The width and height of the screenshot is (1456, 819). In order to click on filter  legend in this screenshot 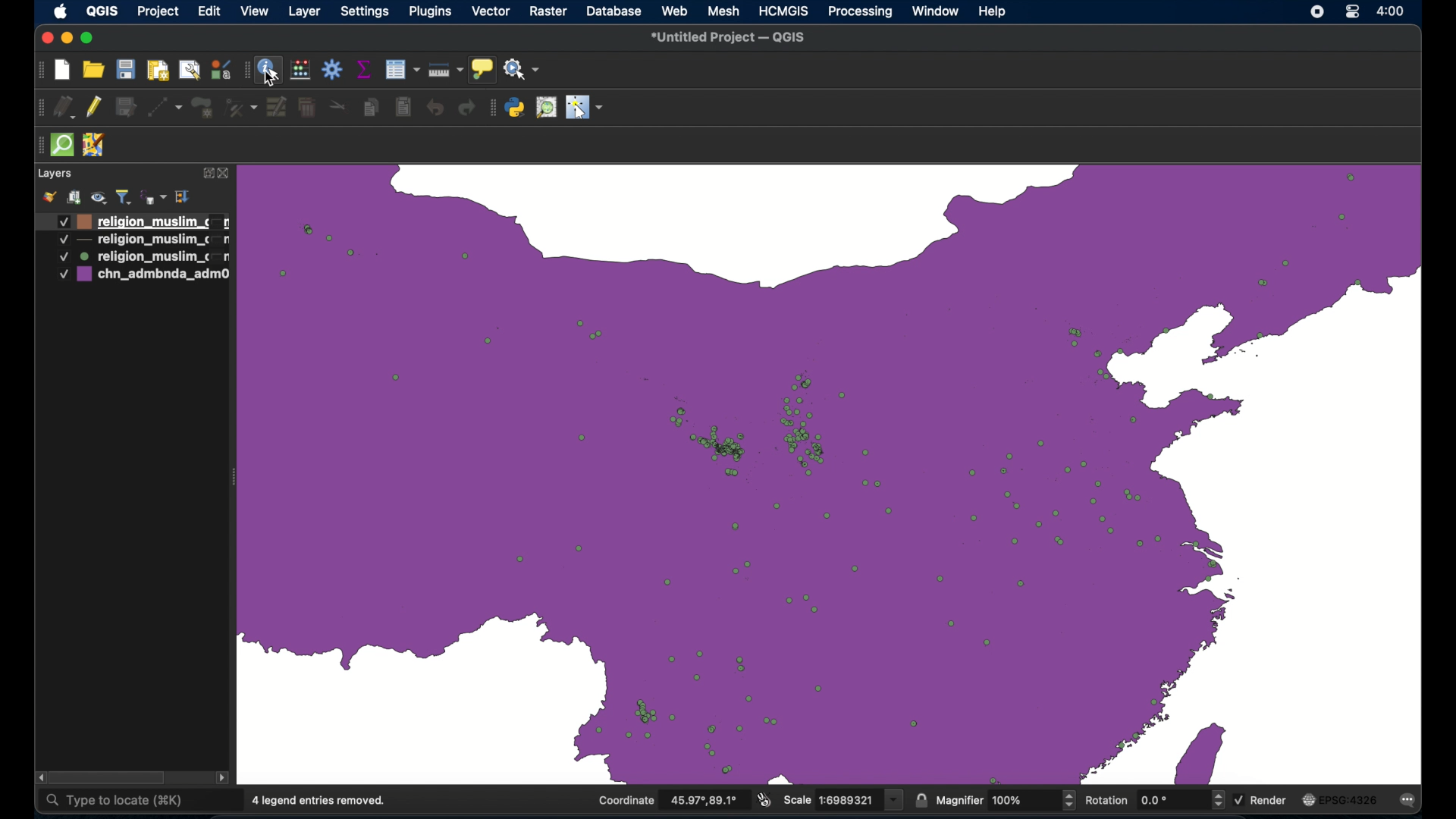, I will do `click(125, 195)`.